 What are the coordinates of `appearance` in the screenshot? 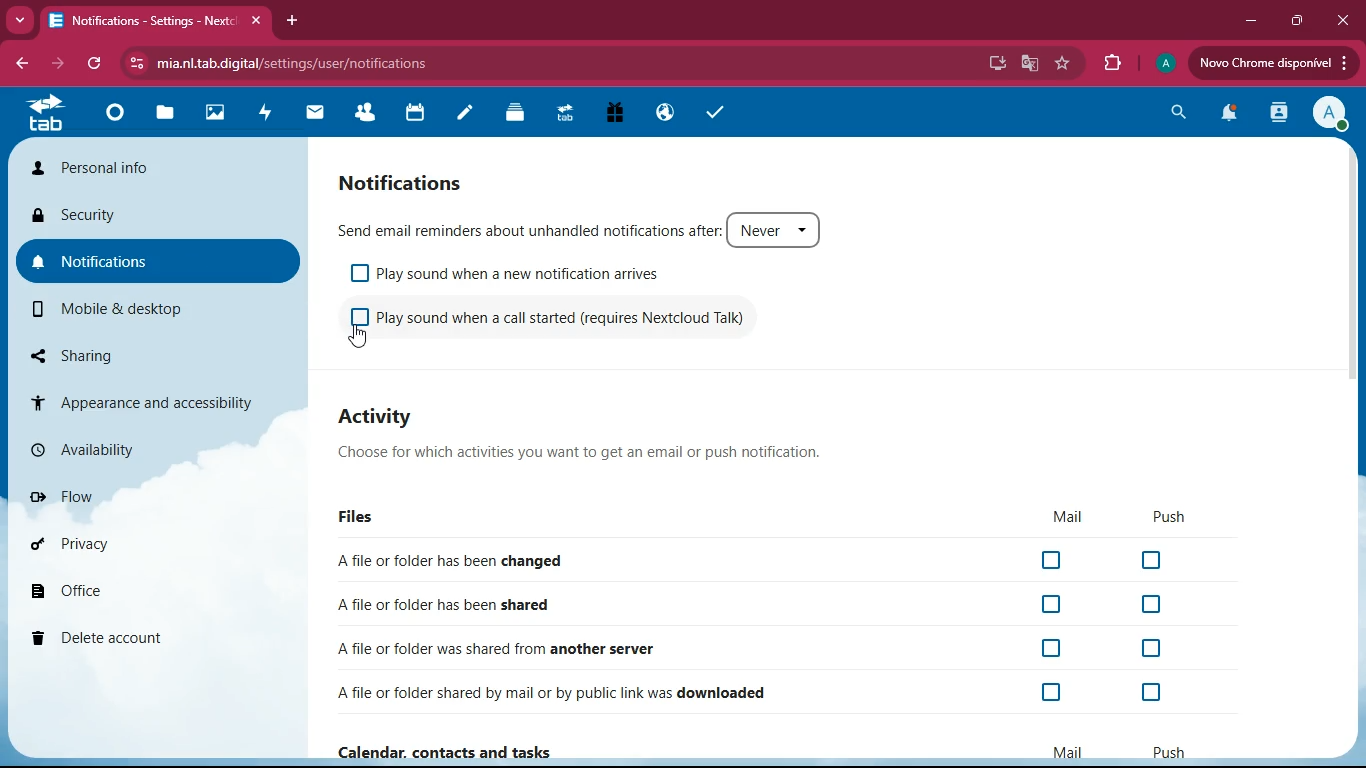 It's located at (139, 396).